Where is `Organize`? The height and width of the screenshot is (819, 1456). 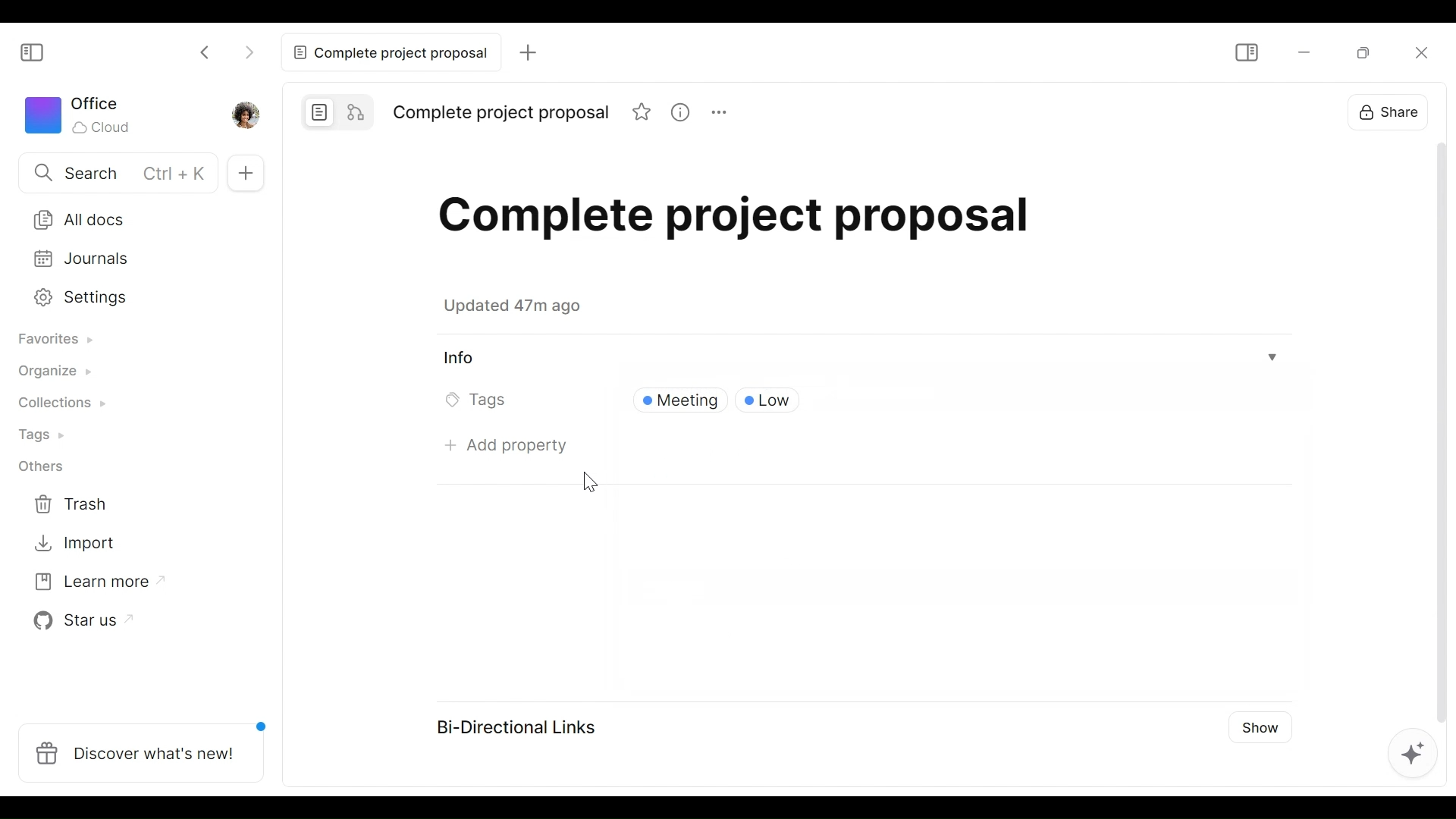 Organize is located at coordinates (58, 374).